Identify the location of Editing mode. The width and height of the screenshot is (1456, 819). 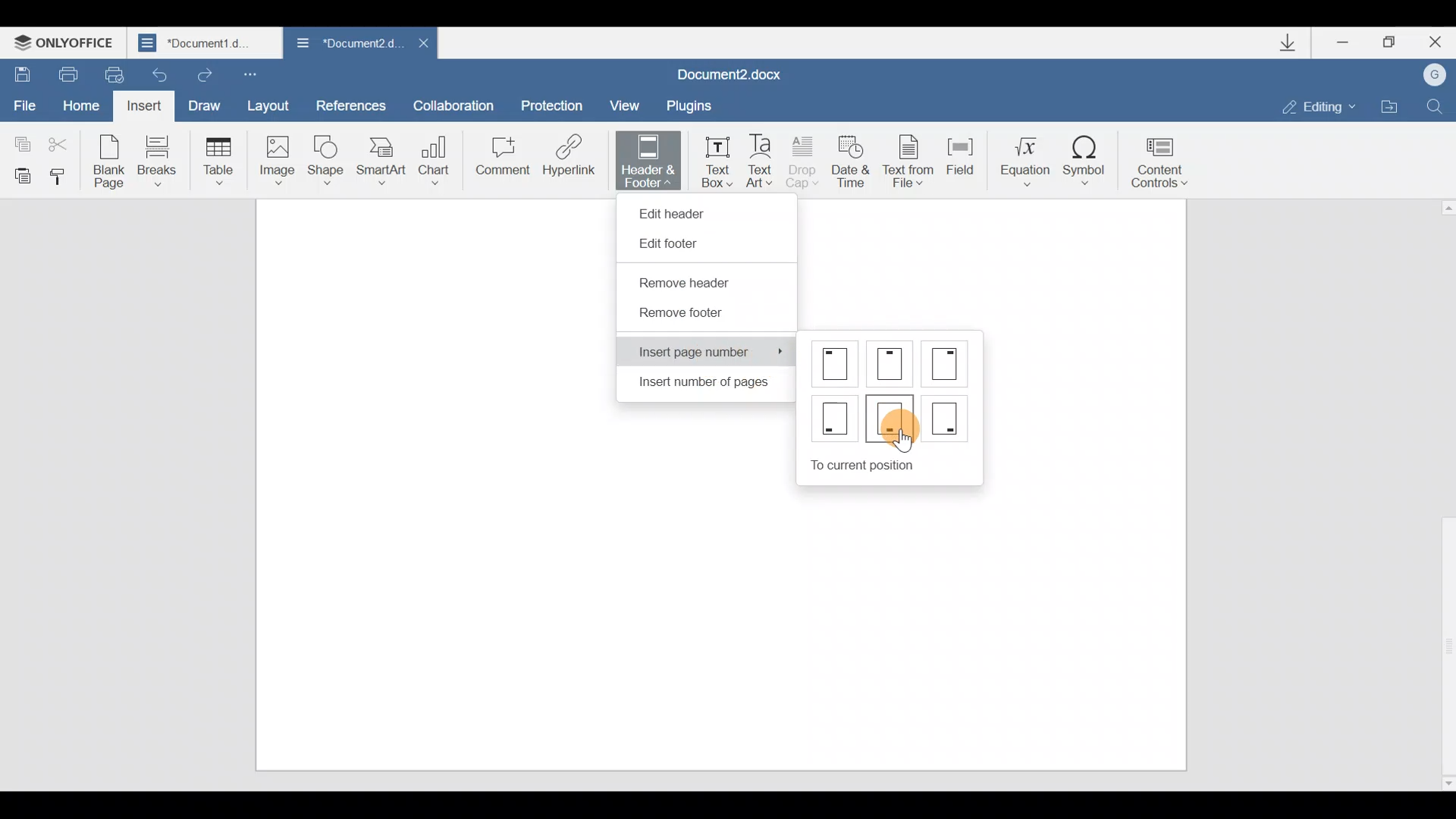
(1310, 105).